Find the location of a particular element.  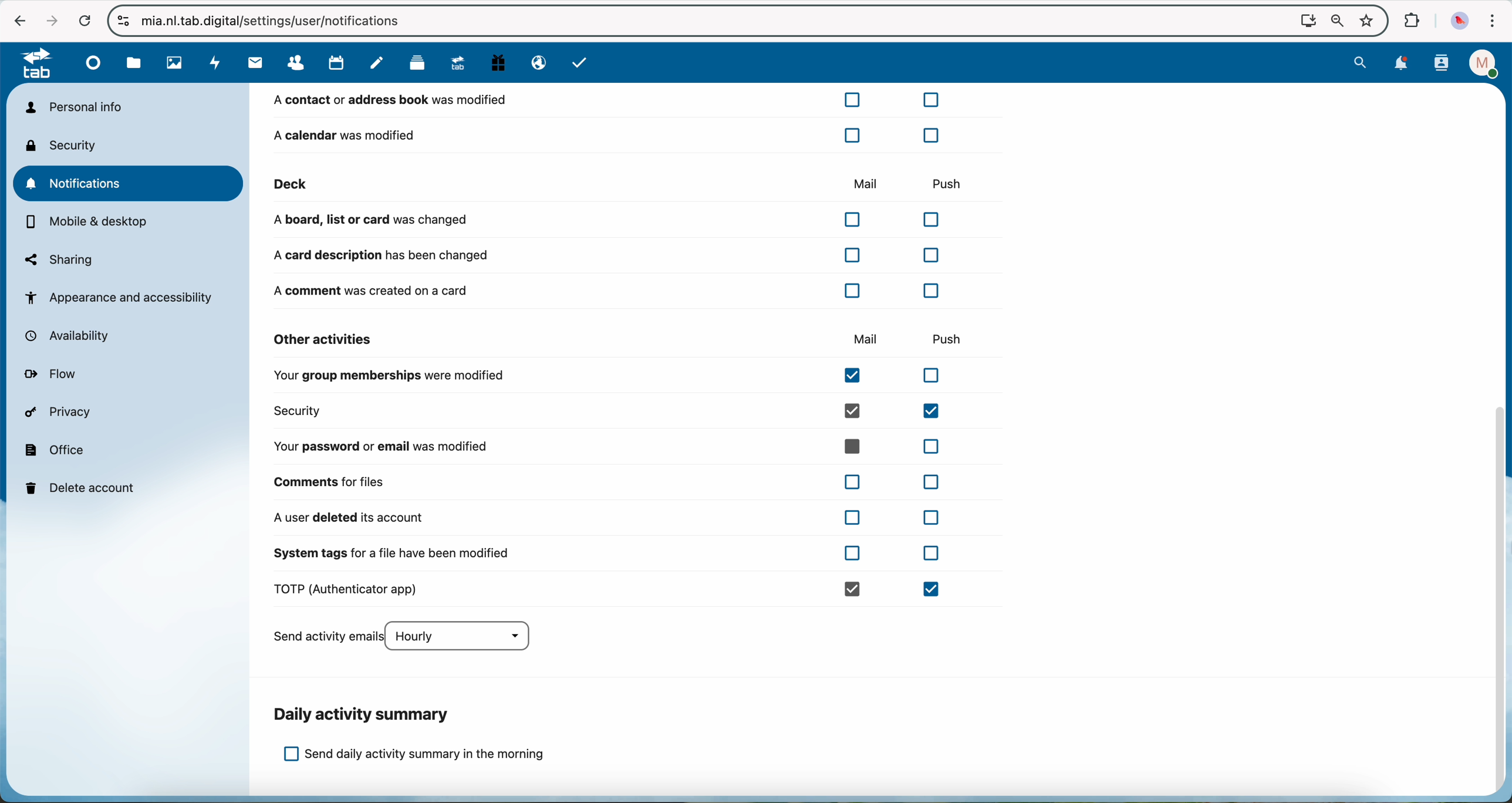

sharing is located at coordinates (59, 259).